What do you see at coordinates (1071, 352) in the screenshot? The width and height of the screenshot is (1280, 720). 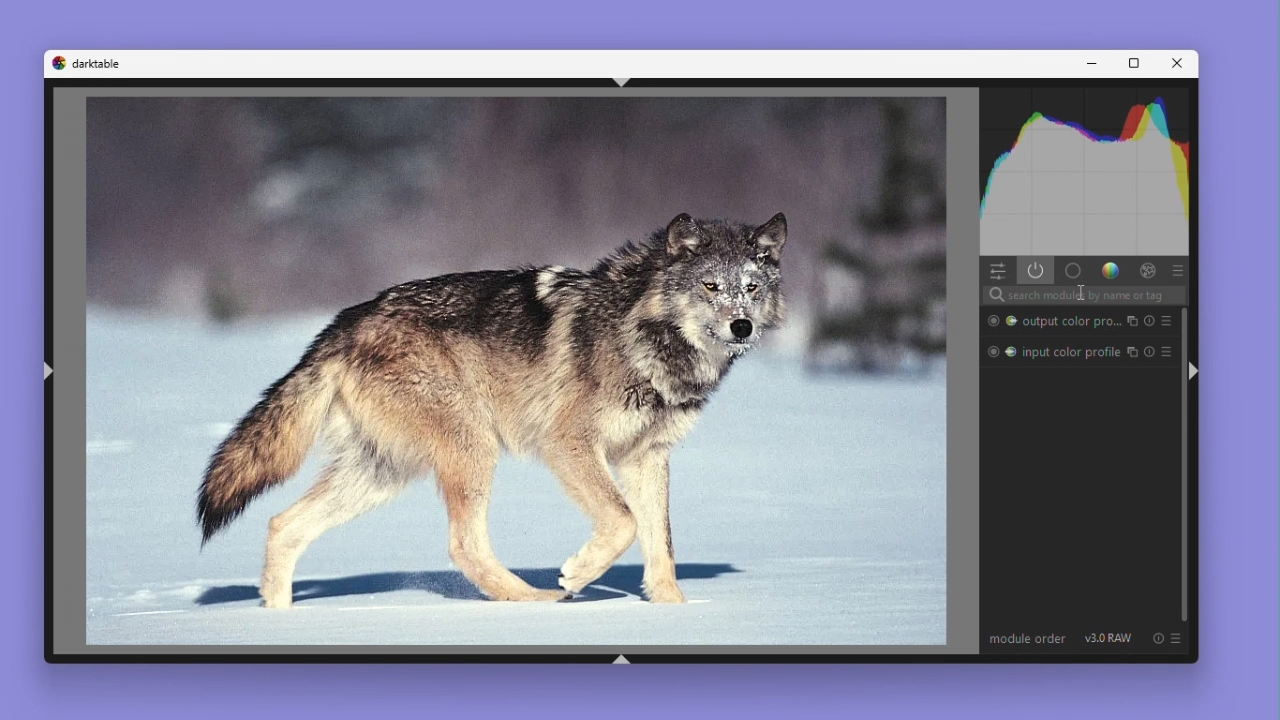 I see `input color profile` at bounding box center [1071, 352].